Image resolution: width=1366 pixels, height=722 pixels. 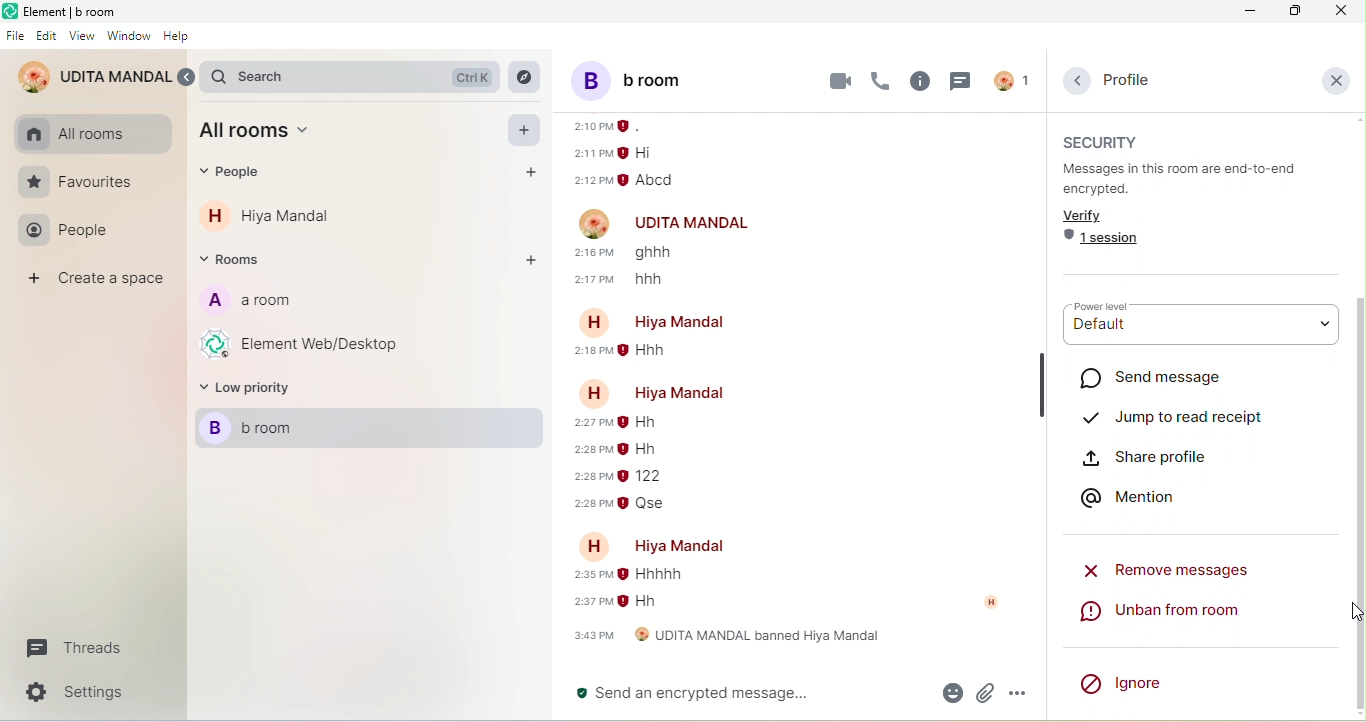 I want to click on option, so click(x=1020, y=693).